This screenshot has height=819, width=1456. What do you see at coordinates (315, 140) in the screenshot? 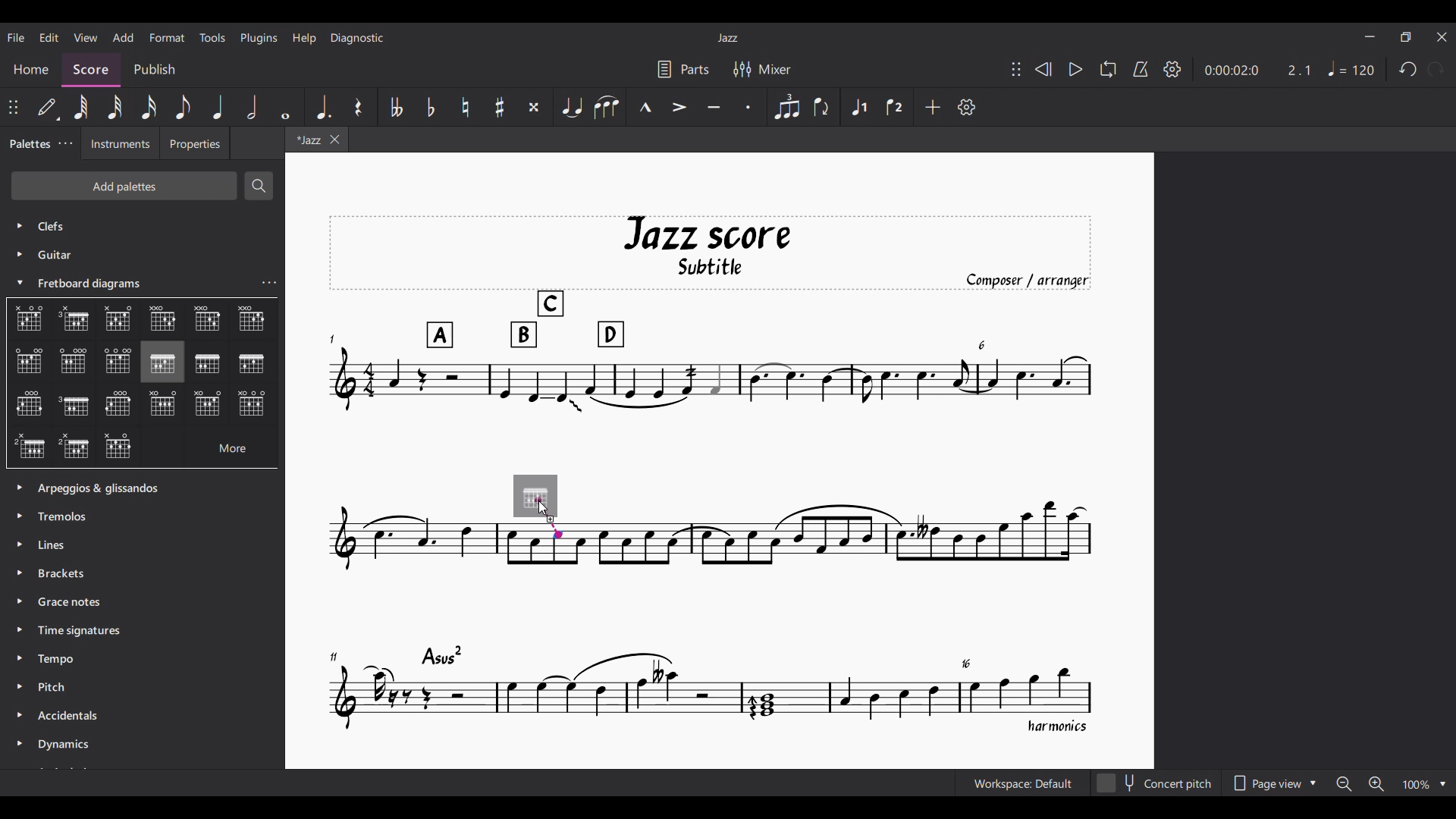
I see `Current tab` at bounding box center [315, 140].